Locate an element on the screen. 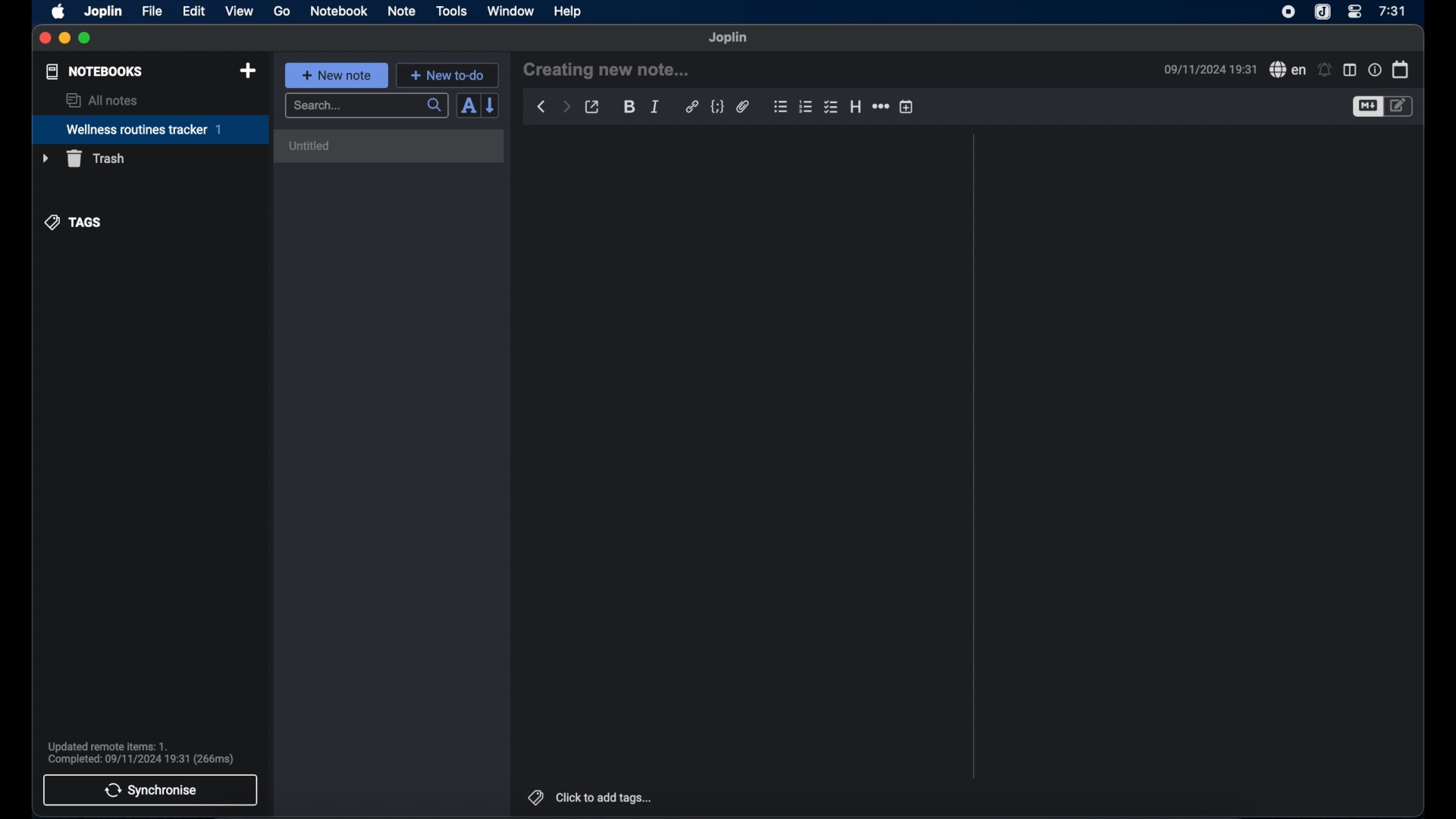 This screenshot has width=1456, height=819. tools is located at coordinates (452, 11).